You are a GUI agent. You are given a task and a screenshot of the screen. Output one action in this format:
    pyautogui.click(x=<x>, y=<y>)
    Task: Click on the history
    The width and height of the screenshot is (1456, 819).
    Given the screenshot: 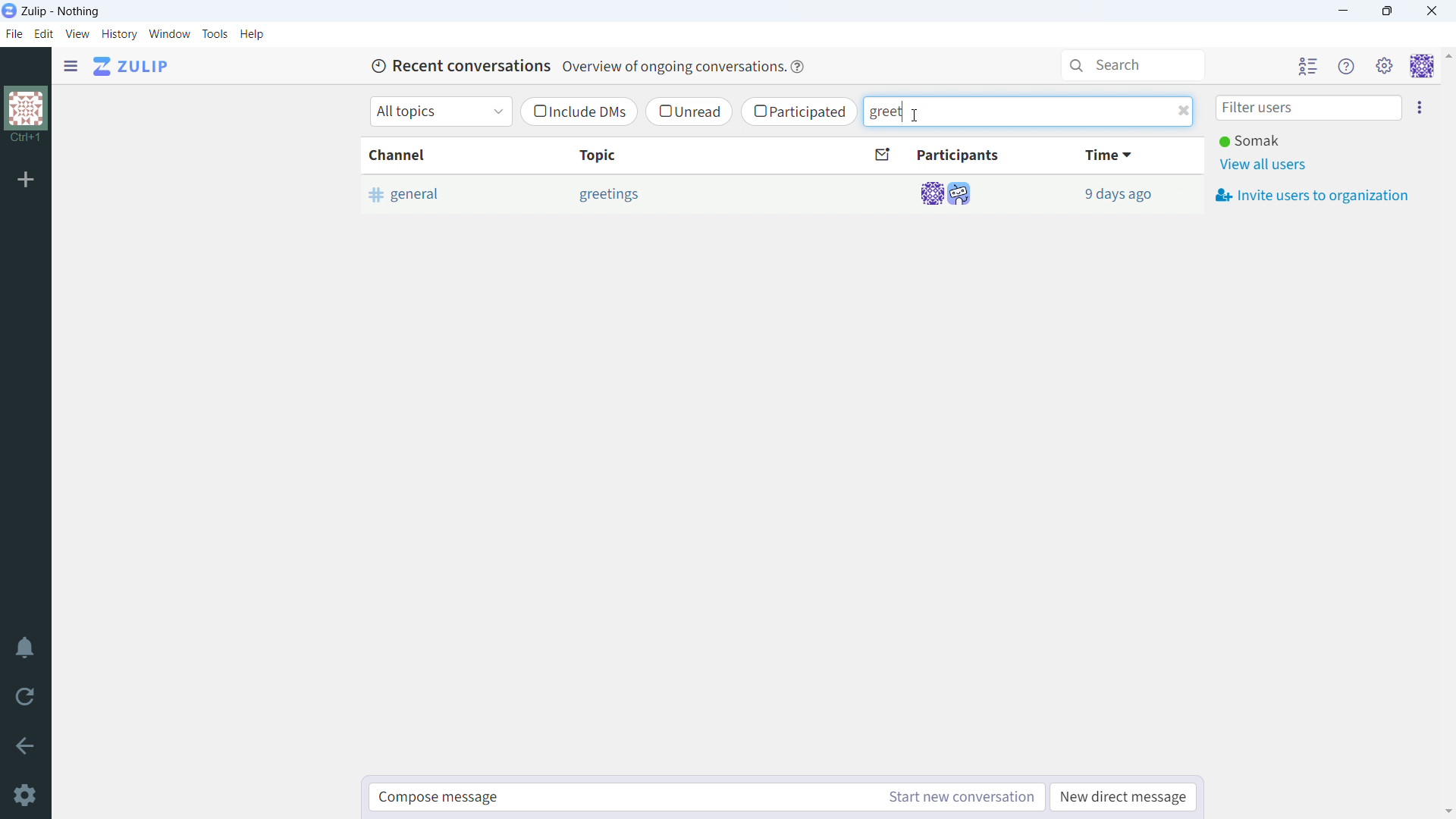 What is the action you would take?
    pyautogui.click(x=120, y=35)
    